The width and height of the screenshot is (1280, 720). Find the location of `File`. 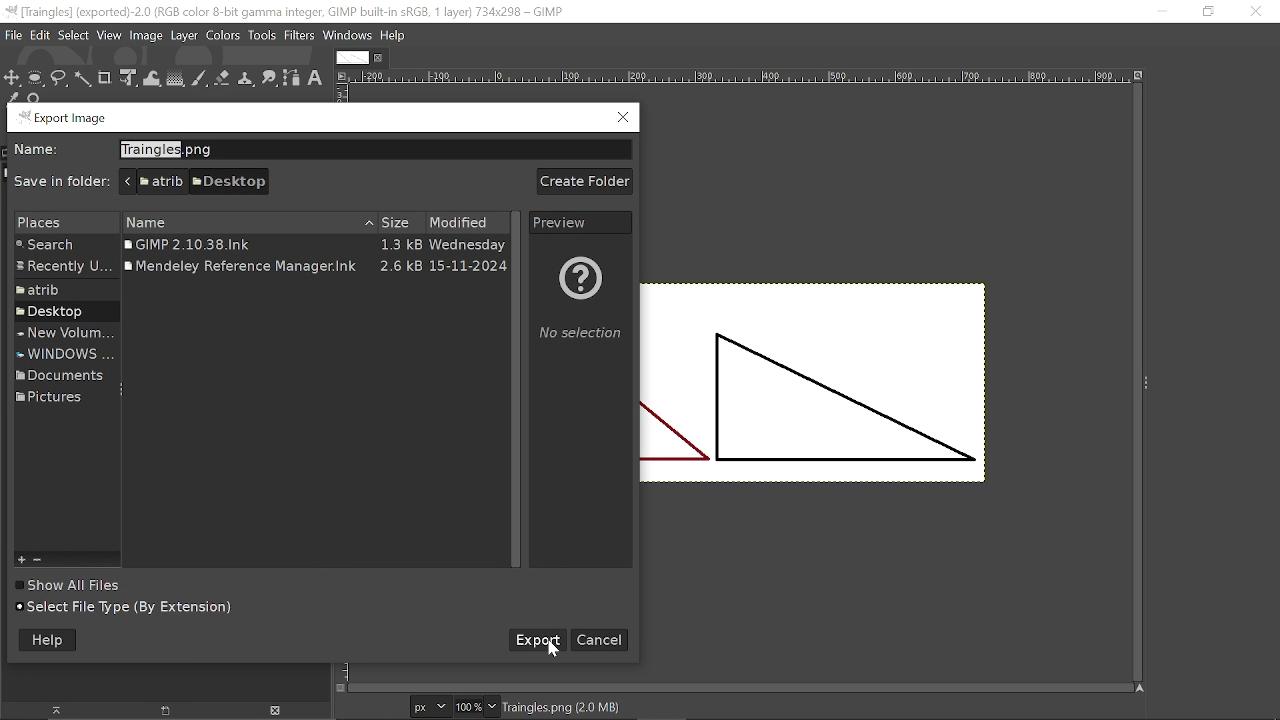

File is located at coordinates (13, 35).